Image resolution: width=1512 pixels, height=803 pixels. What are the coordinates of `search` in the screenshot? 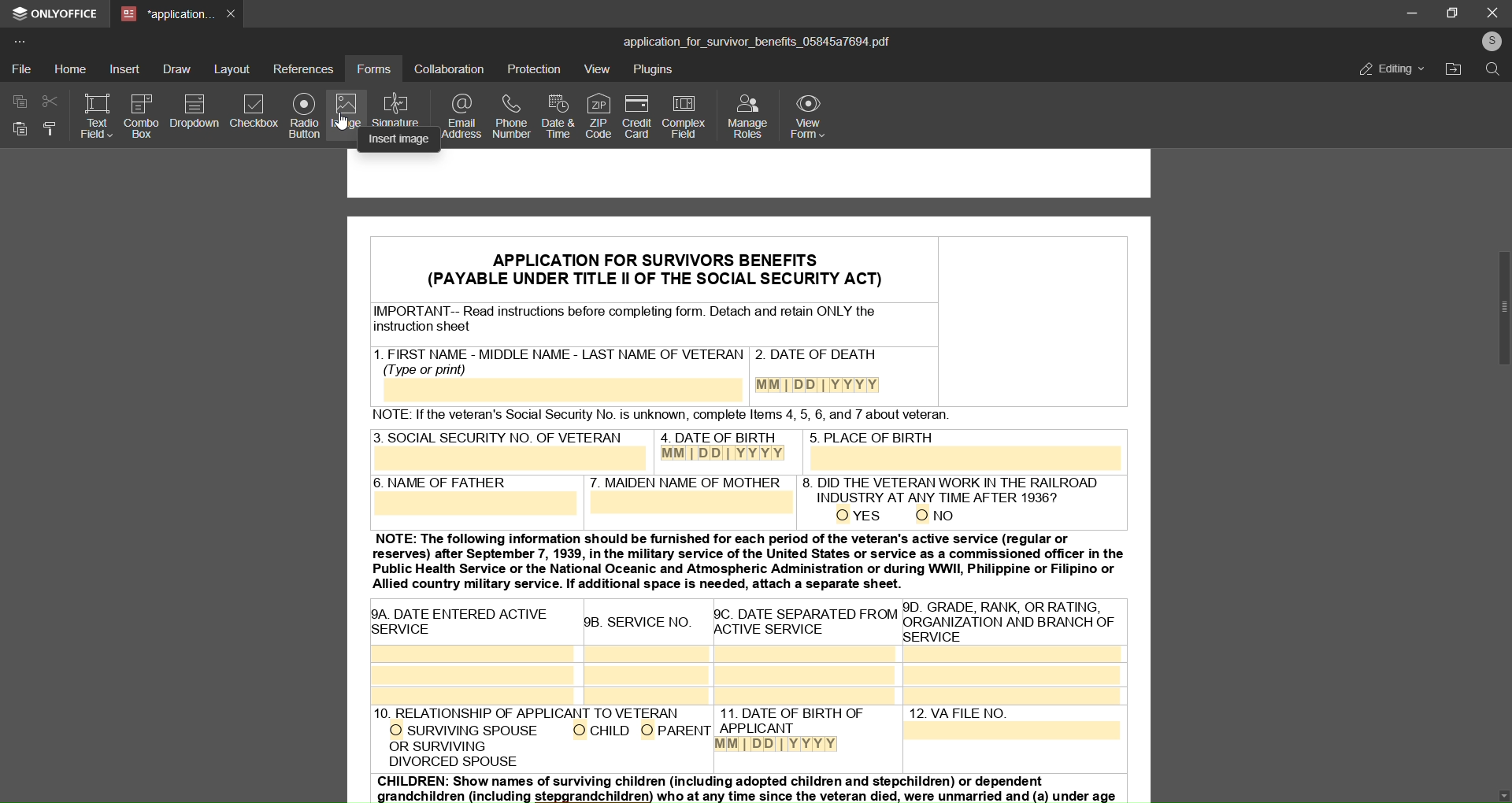 It's located at (1492, 72).